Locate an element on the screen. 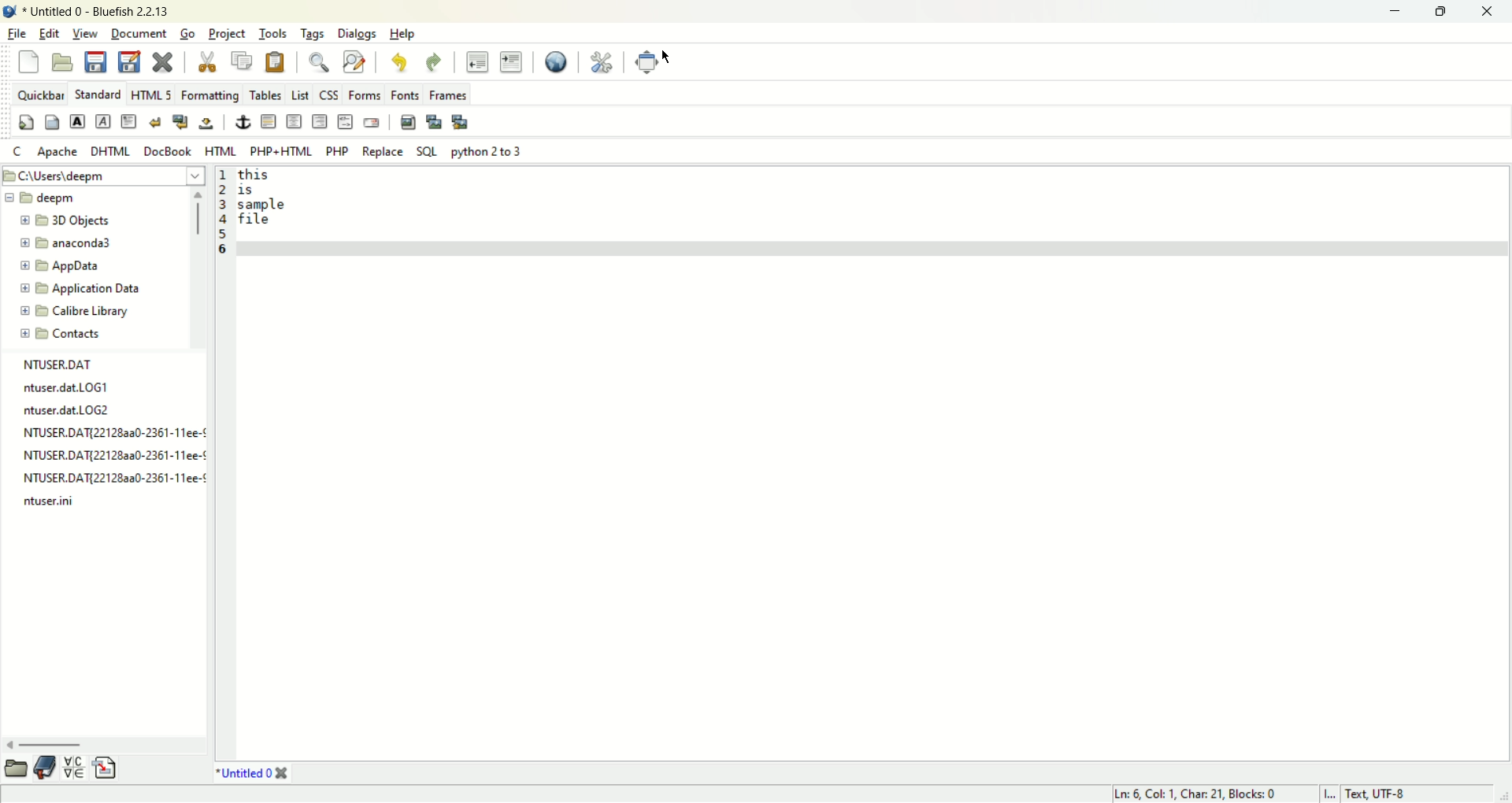  undo is located at coordinates (398, 63).